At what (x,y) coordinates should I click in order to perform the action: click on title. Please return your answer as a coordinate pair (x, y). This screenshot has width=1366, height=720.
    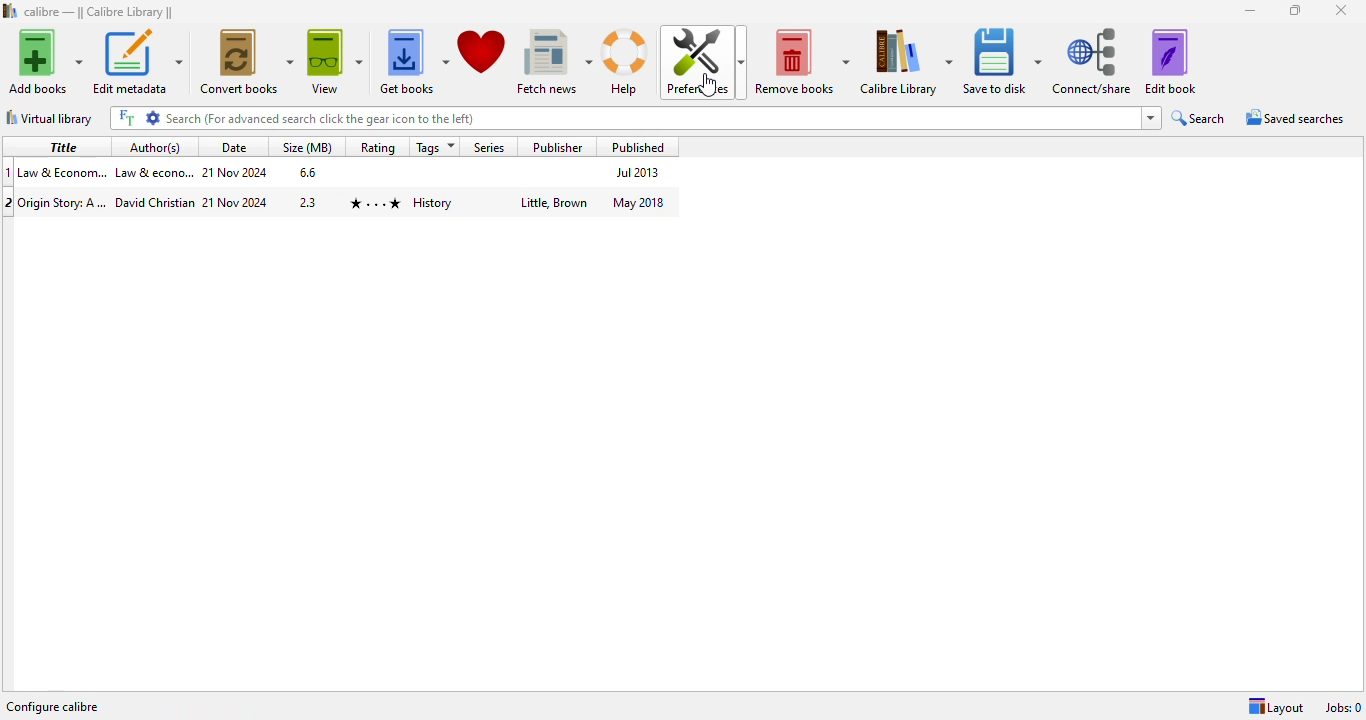
    Looking at the image, I should click on (63, 146).